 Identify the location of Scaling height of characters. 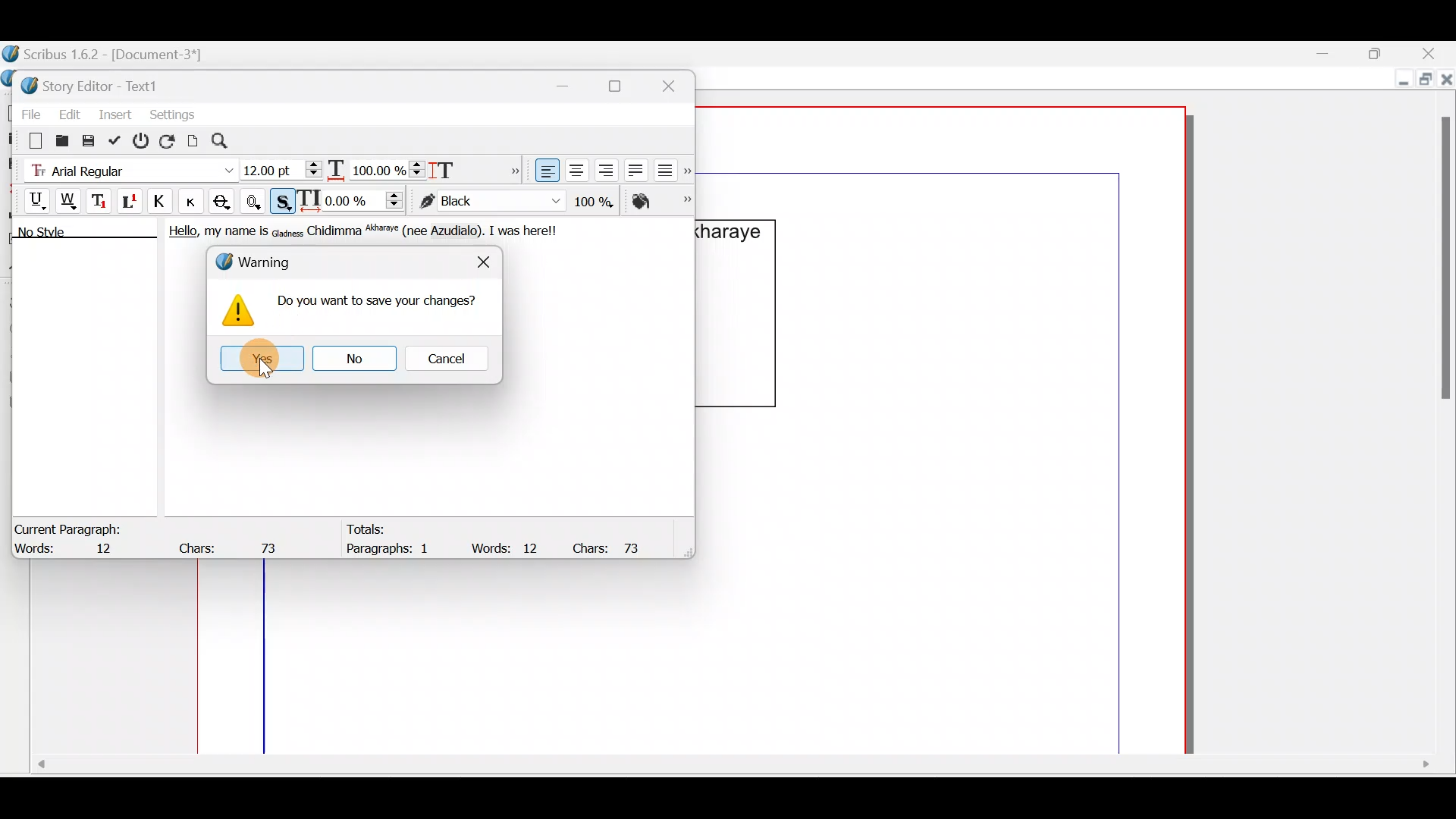
(464, 165).